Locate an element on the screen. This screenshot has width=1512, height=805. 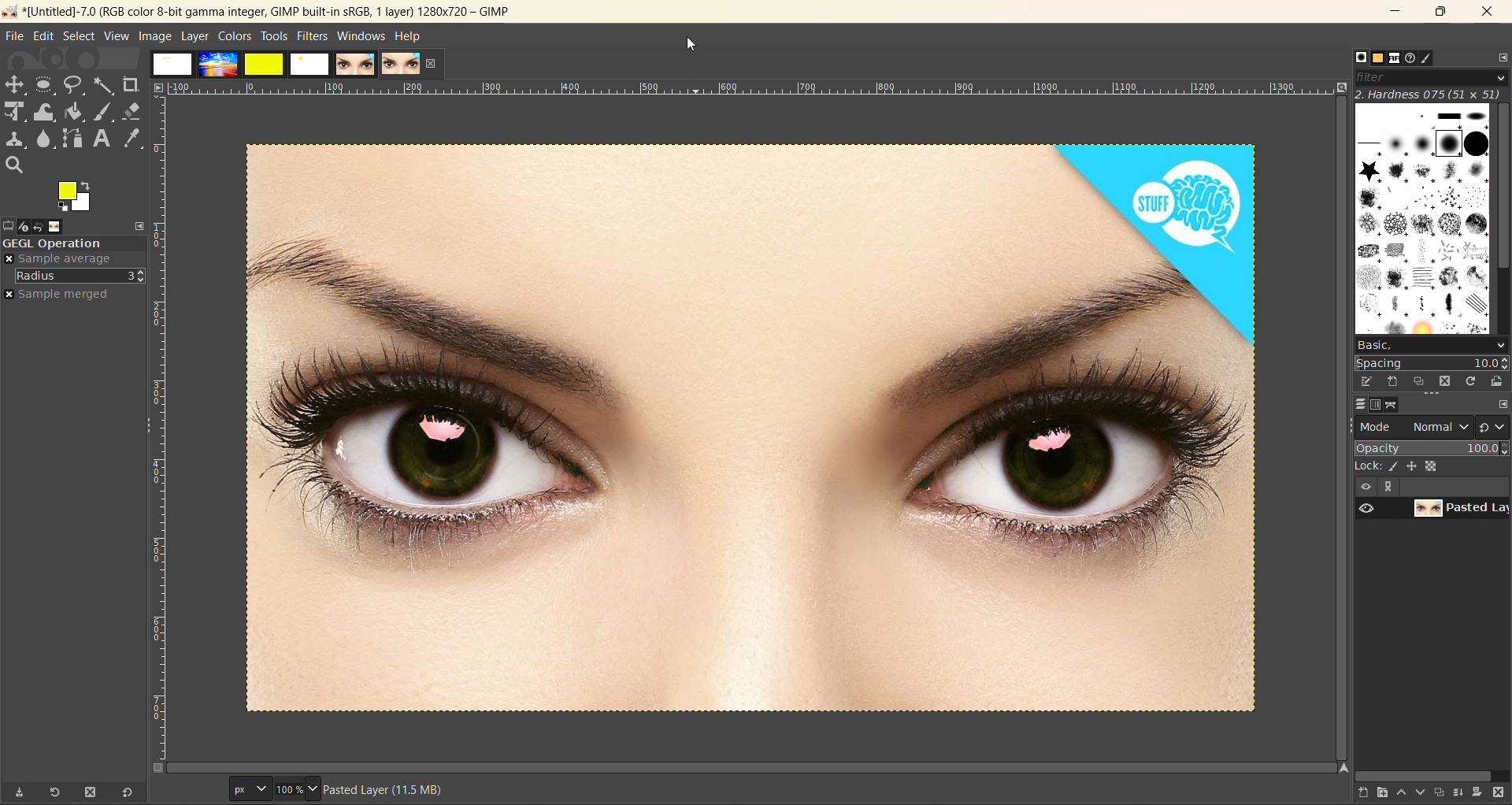
metadata is located at coordinates (380, 789).